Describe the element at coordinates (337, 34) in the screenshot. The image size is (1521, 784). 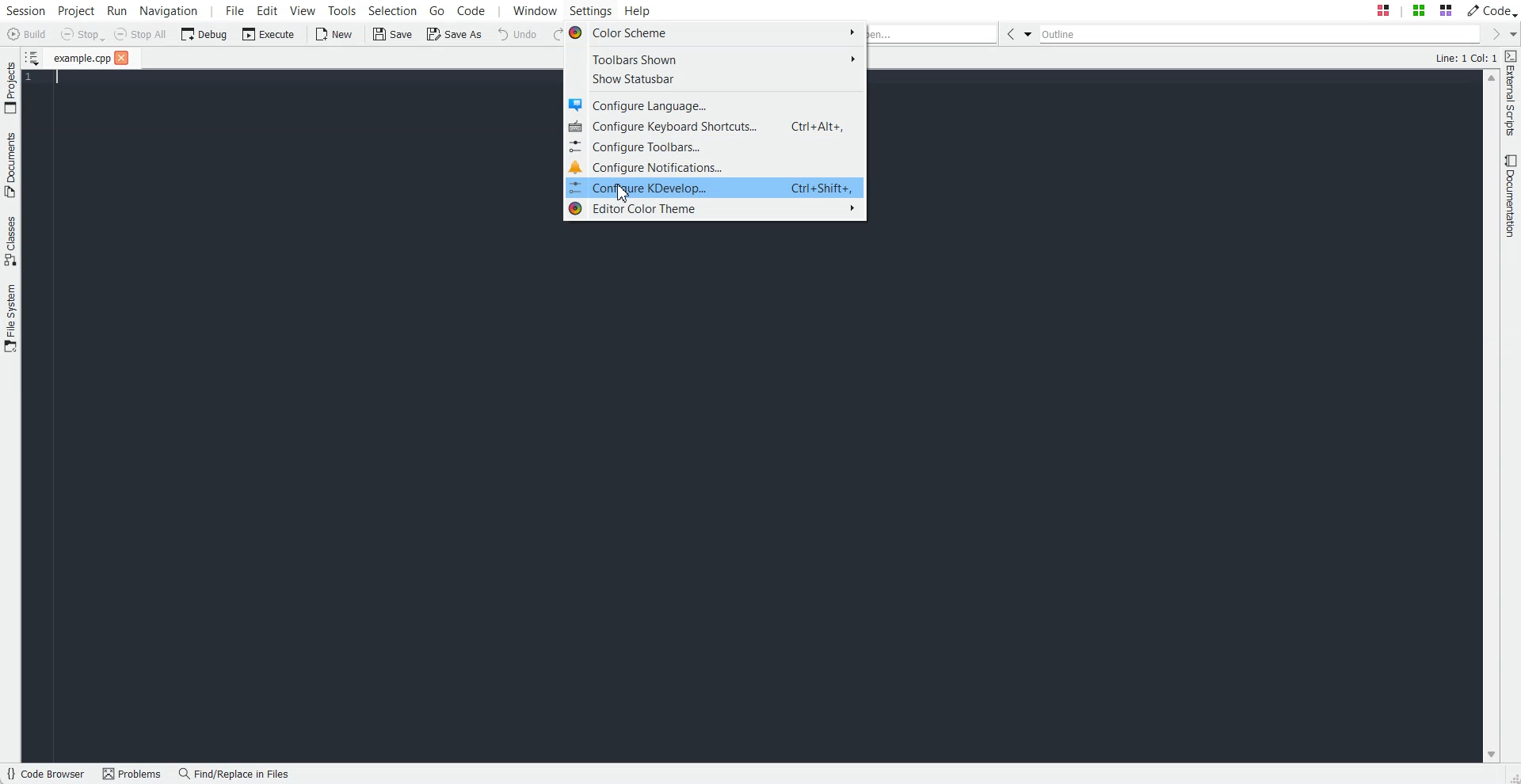
I see `New` at that location.